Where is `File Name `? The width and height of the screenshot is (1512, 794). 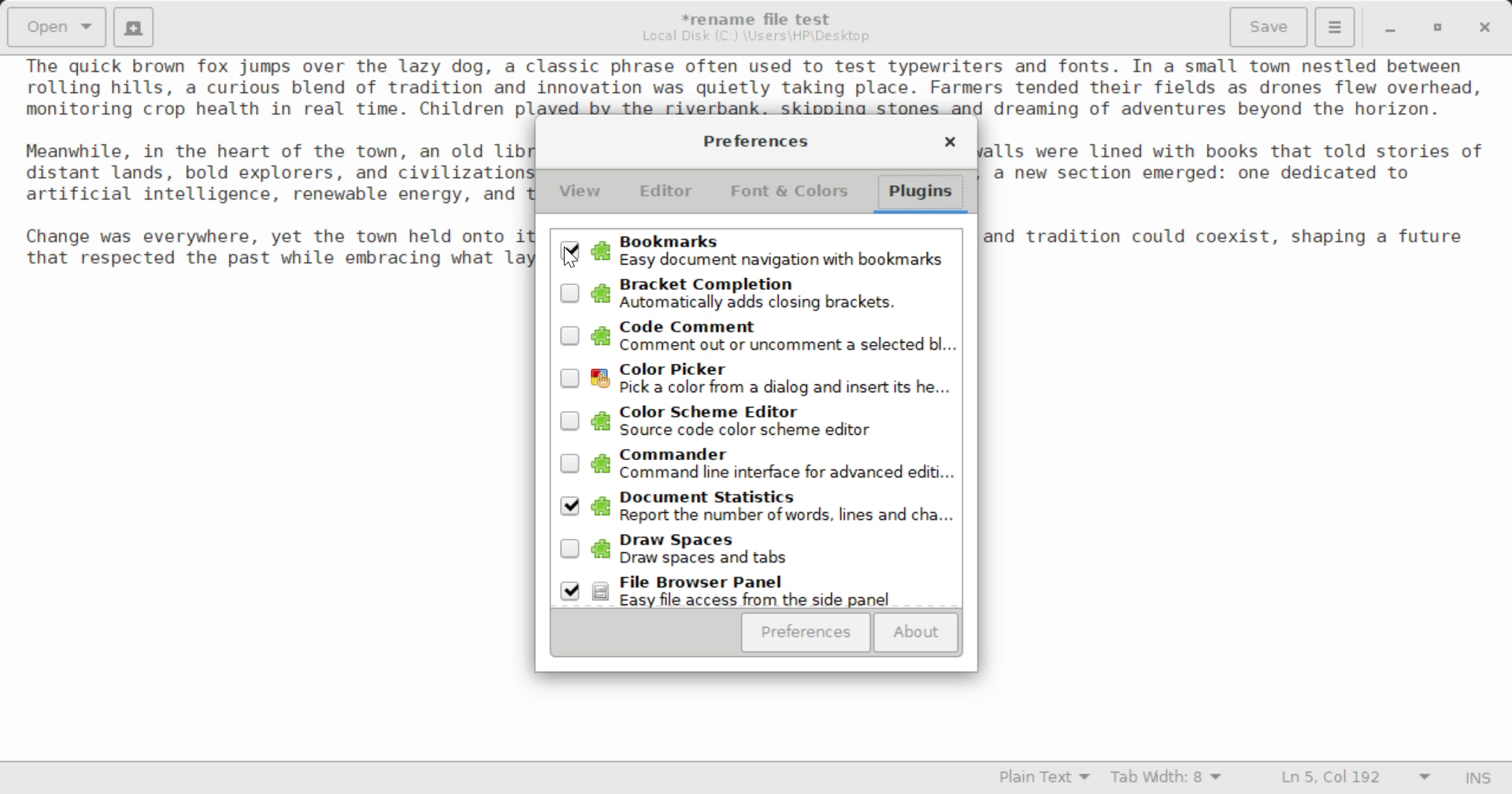
File Name  is located at coordinates (761, 17).